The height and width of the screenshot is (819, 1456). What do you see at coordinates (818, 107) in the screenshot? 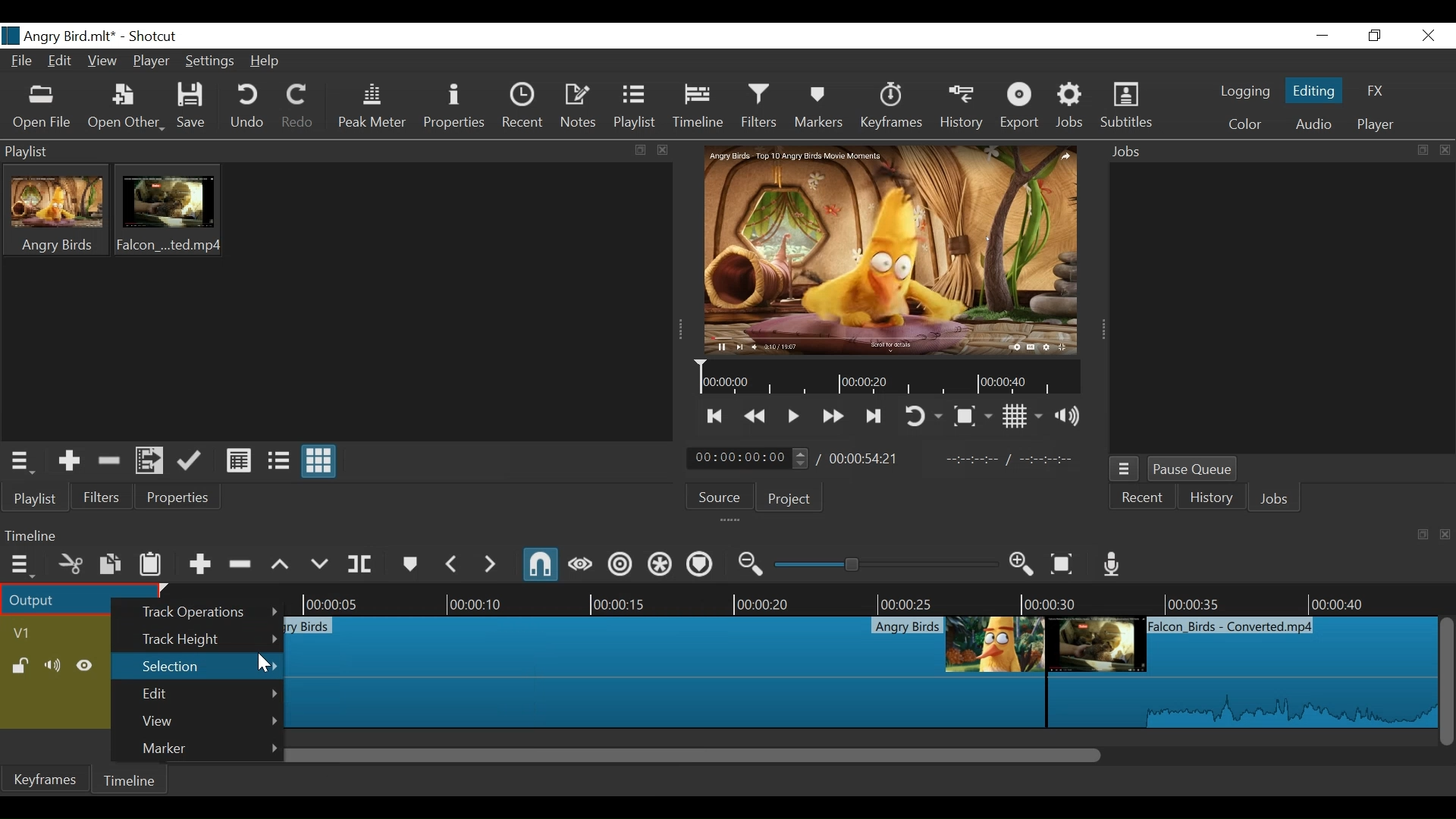
I see `Markers` at bounding box center [818, 107].